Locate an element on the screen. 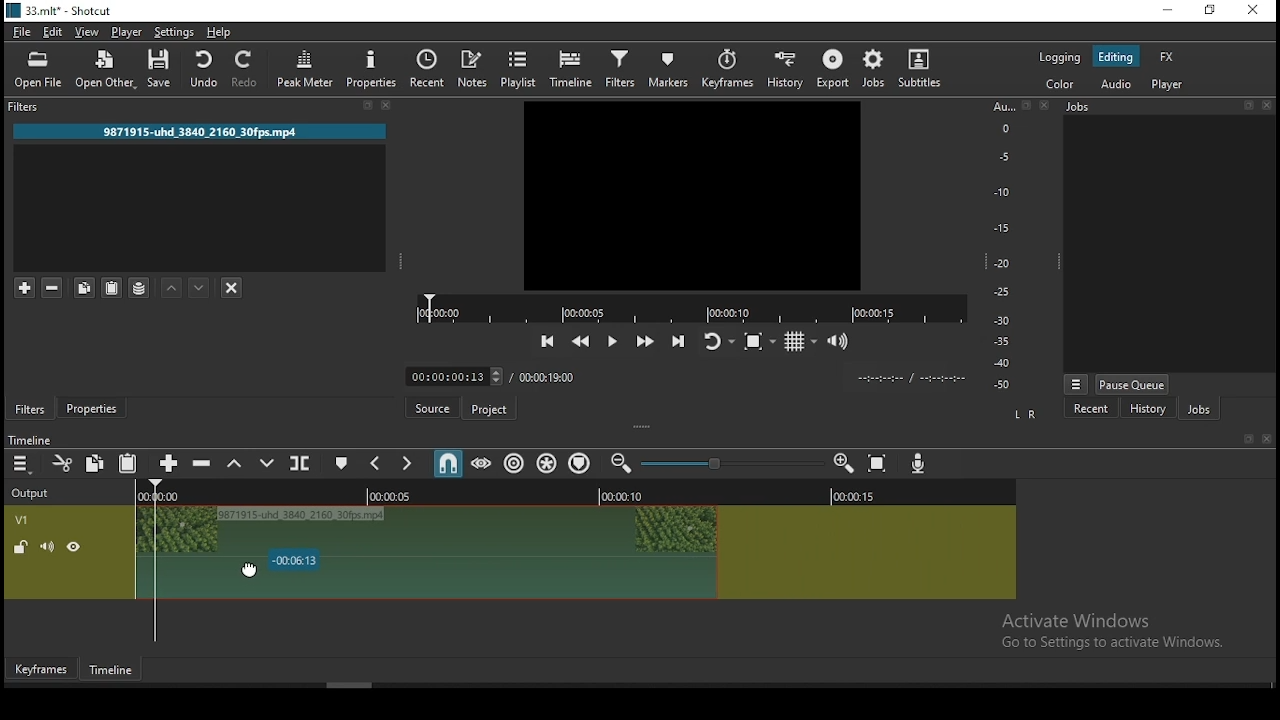 The height and width of the screenshot is (720, 1280). Source is located at coordinates (434, 406).